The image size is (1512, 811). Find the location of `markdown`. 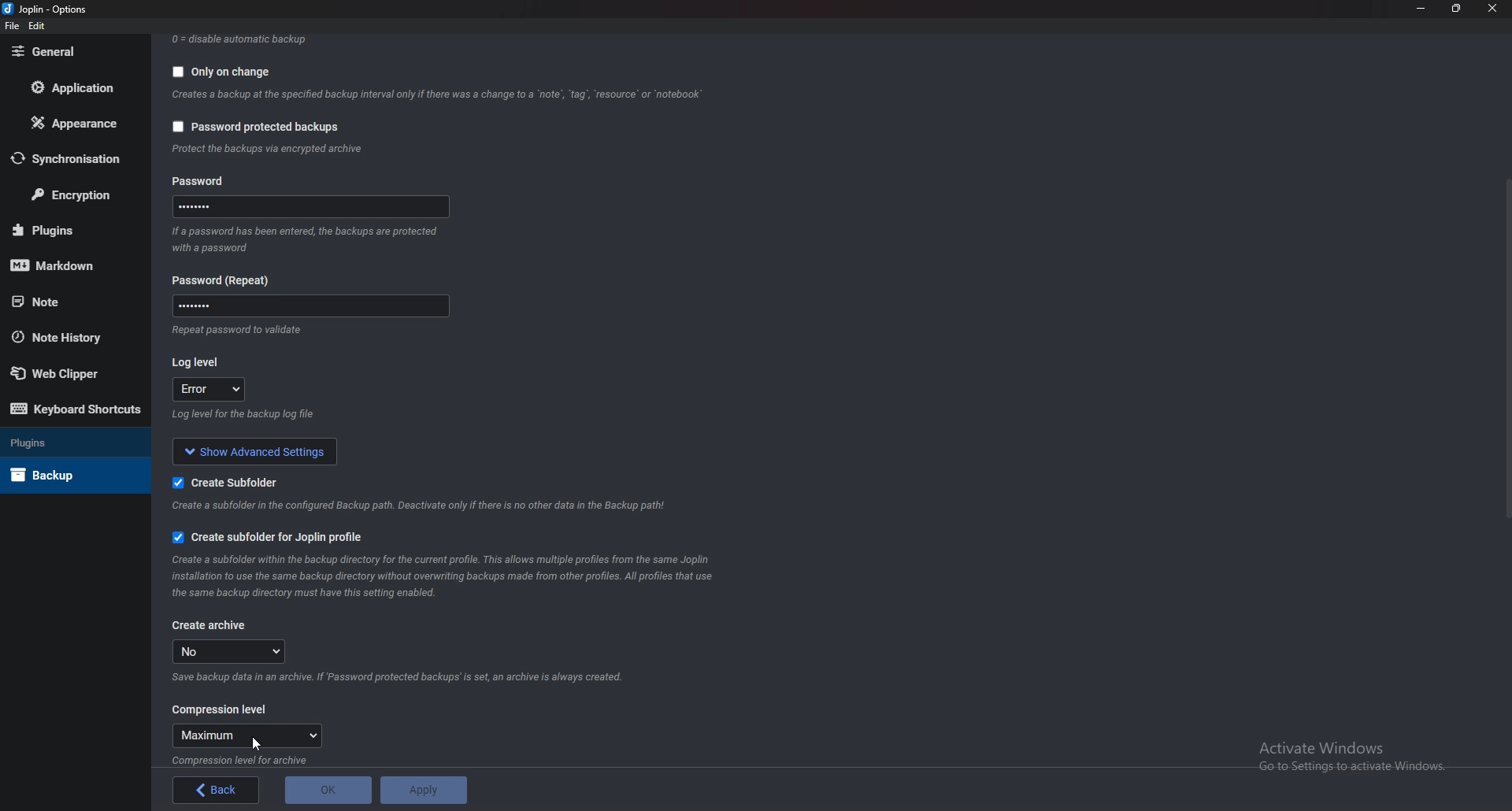

markdown is located at coordinates (69, 264).